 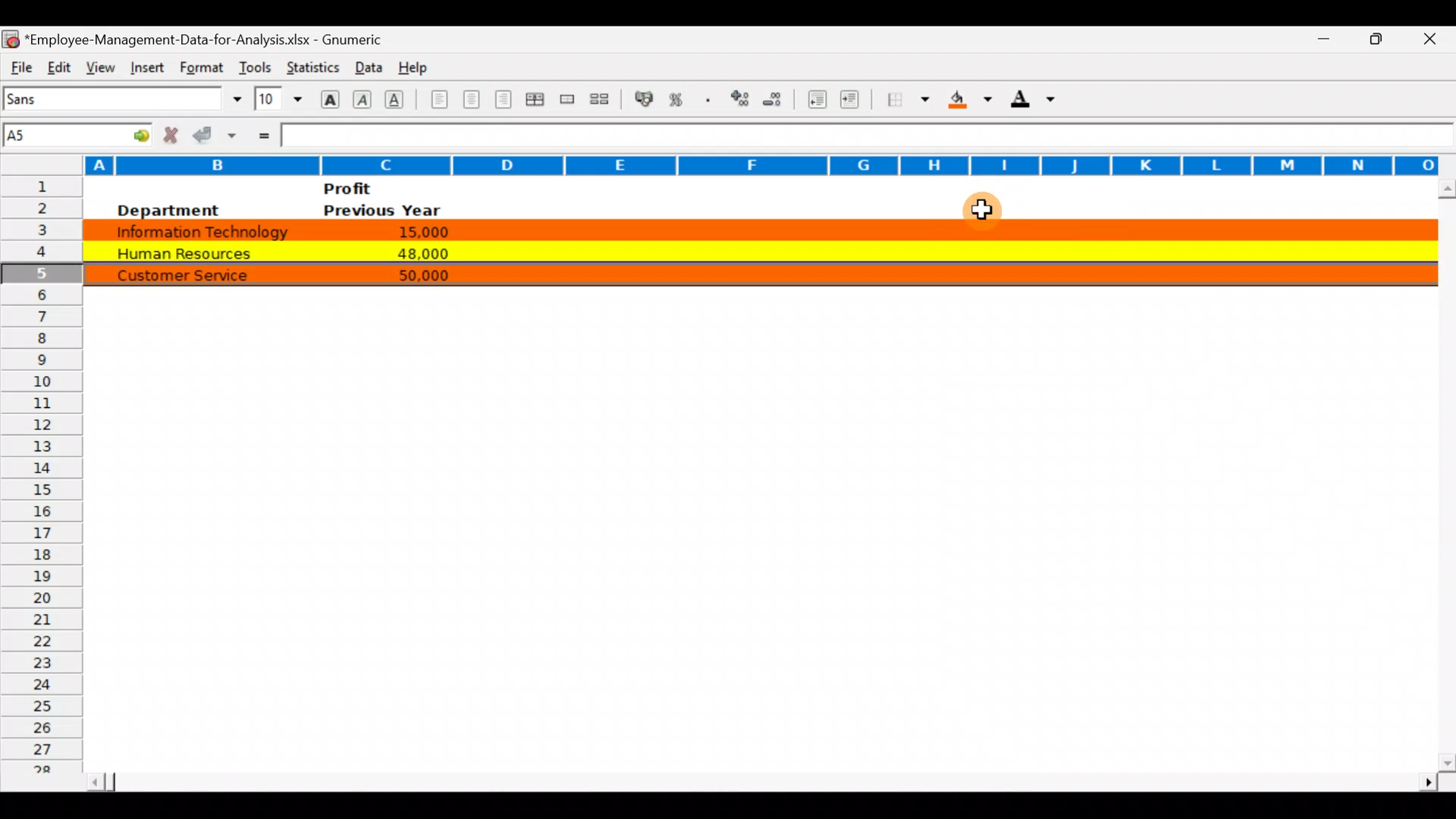 I want to click on Background, so click(x=969, y=104).